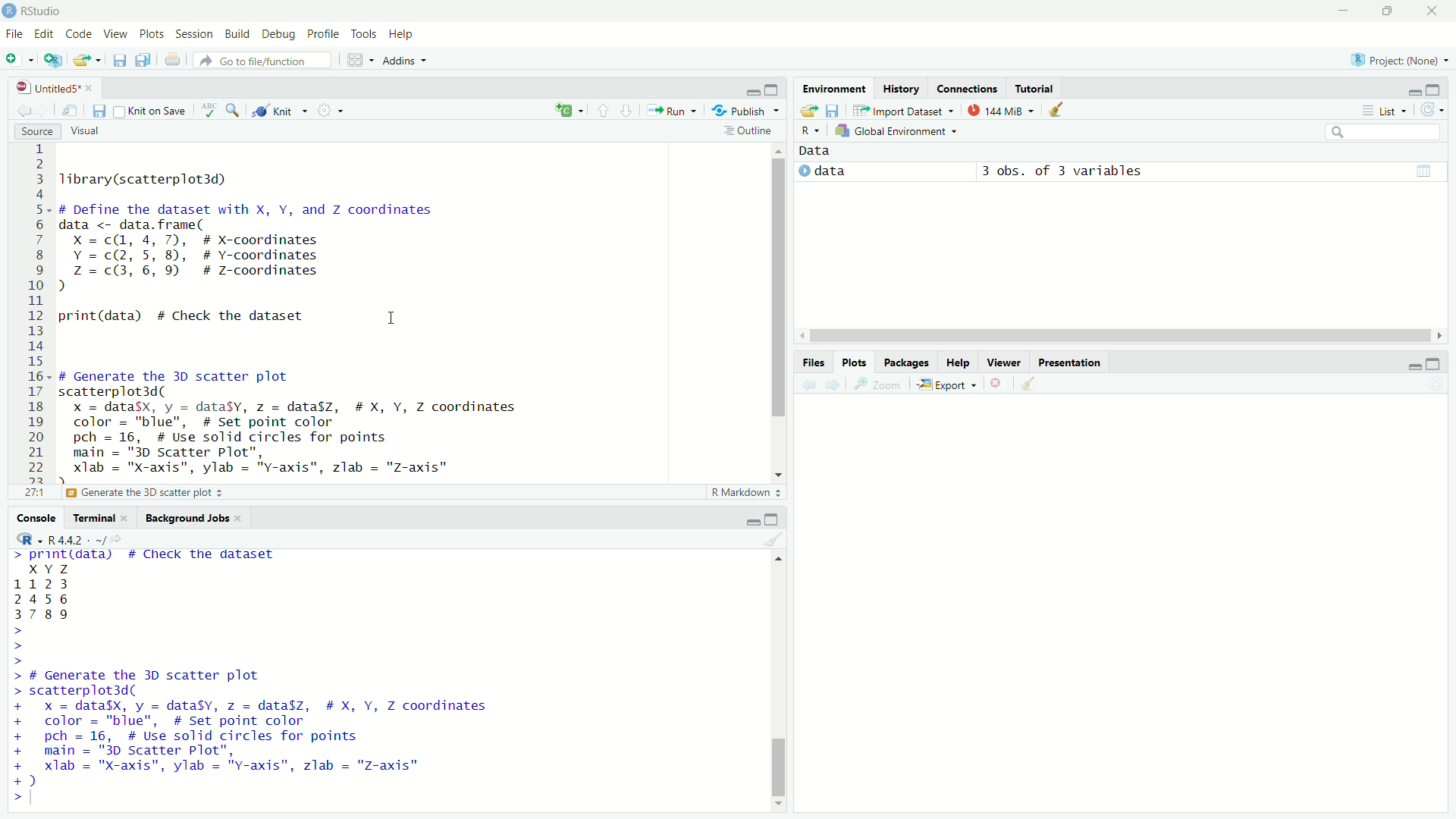  Describe the element at coordinates (276, 728) in the screenshot. I see `> # Generate the 5D scatter plot

> scatterplot3d(

+ x = data$X, y = dataSy, z = data$z, # X, Y, Z coordinates
+ color = "blue", # Set point color

+ pch = 16, # Use solid circles for points

+ main = "3D Scatter Plot",

+ xlab = "x-axis", ylab = "y-axis", zlab = "z-axis"

+)` at that location.